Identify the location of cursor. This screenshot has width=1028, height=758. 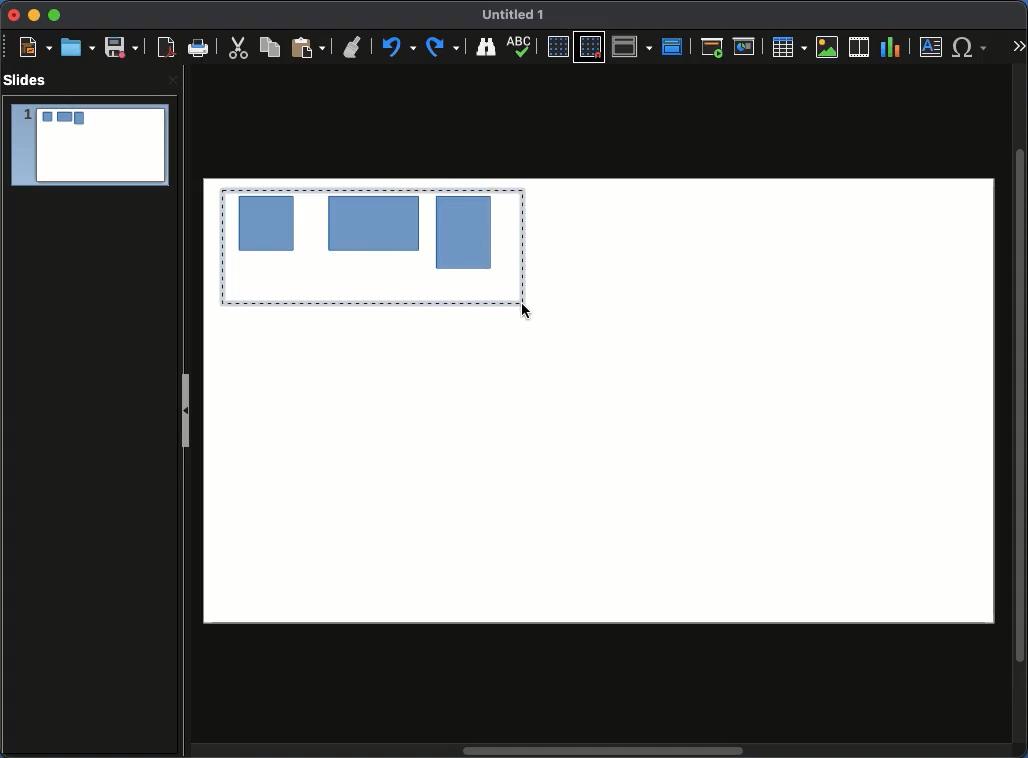
(528, 312).